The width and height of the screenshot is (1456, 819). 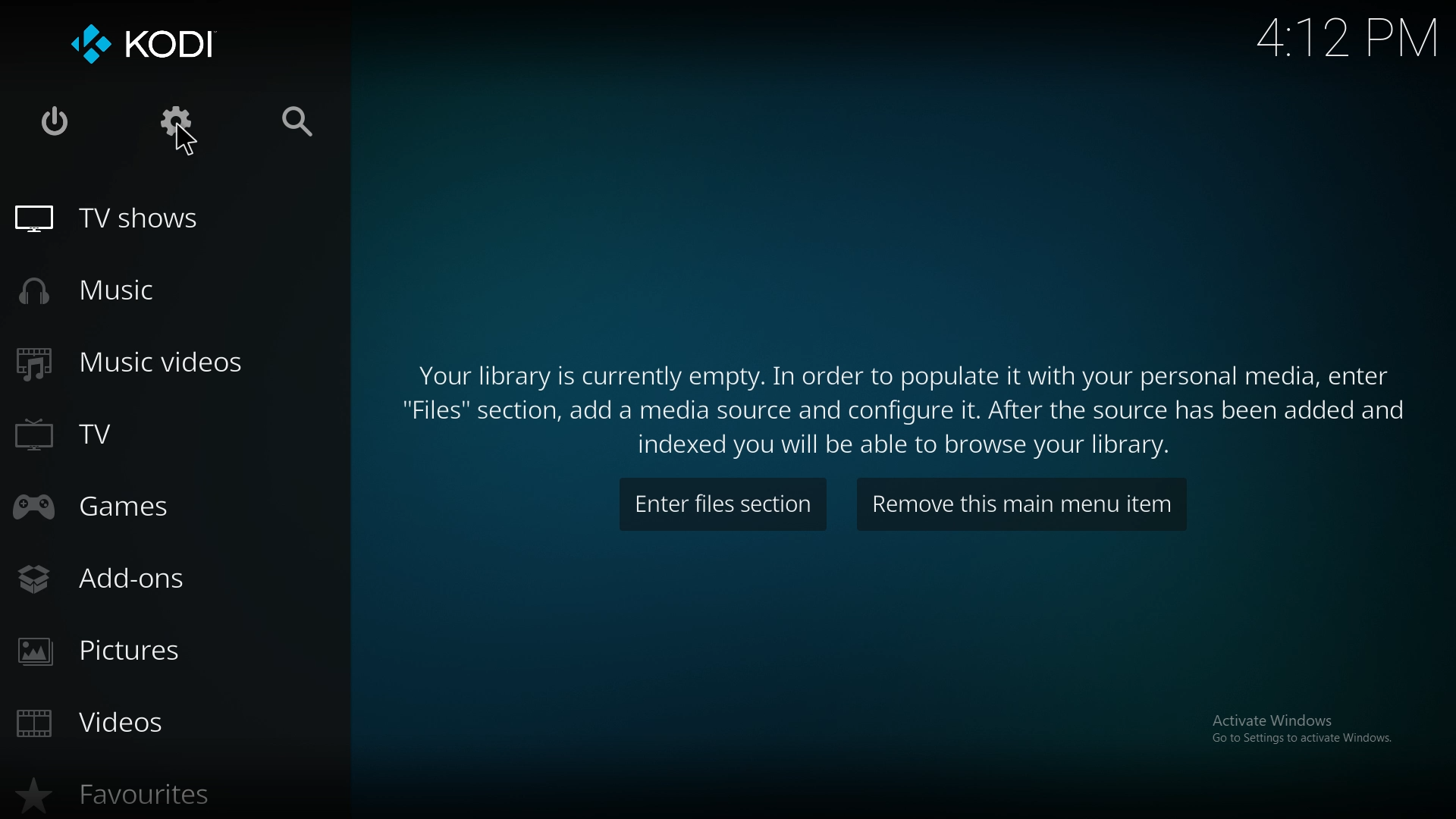 What do you see at coordinates (132, 649) in the screenshot?
I see `pictures` at bounding box center [132, 649].